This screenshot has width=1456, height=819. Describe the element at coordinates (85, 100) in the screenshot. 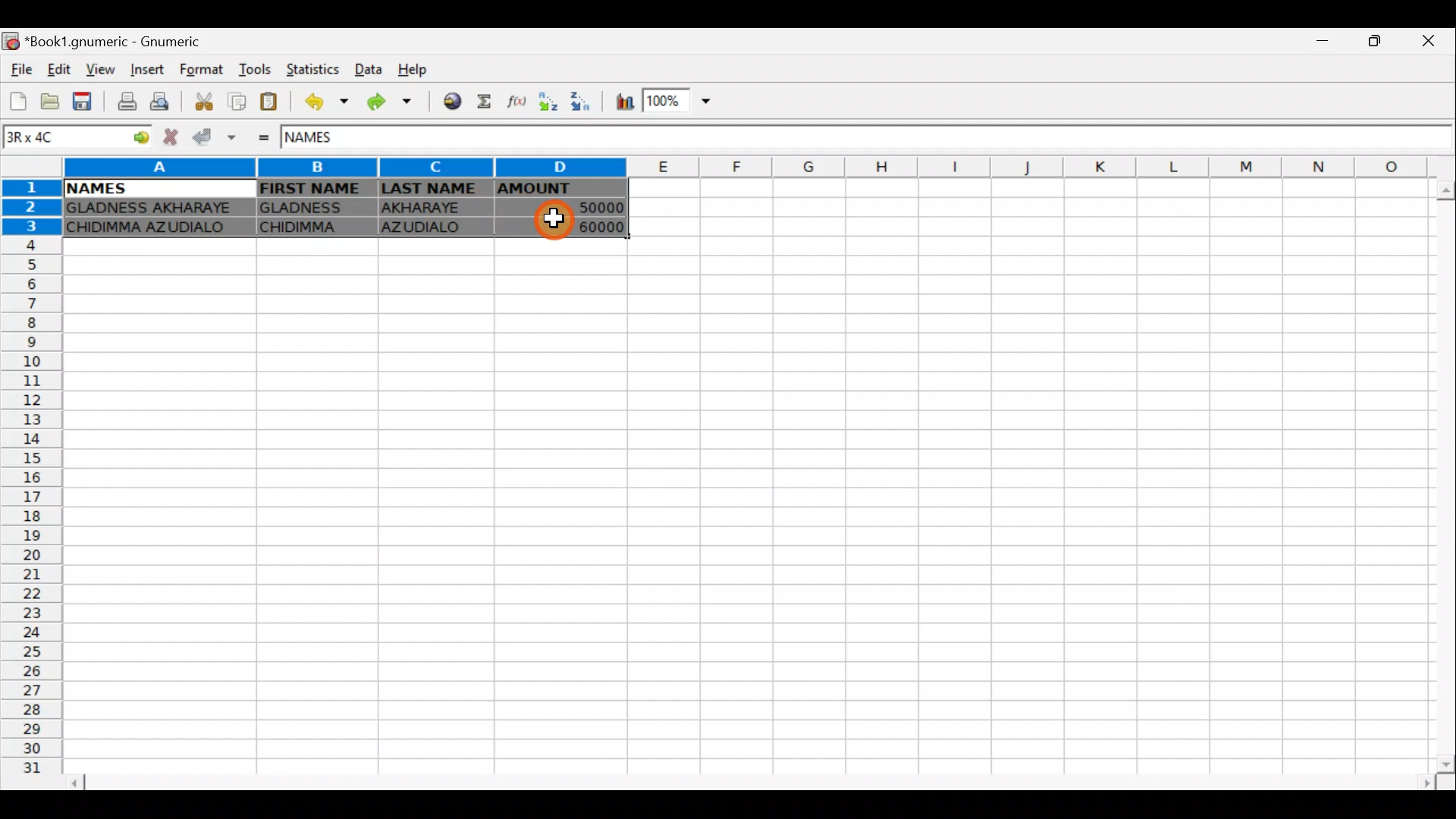

I see `Save current workbook` at that location.